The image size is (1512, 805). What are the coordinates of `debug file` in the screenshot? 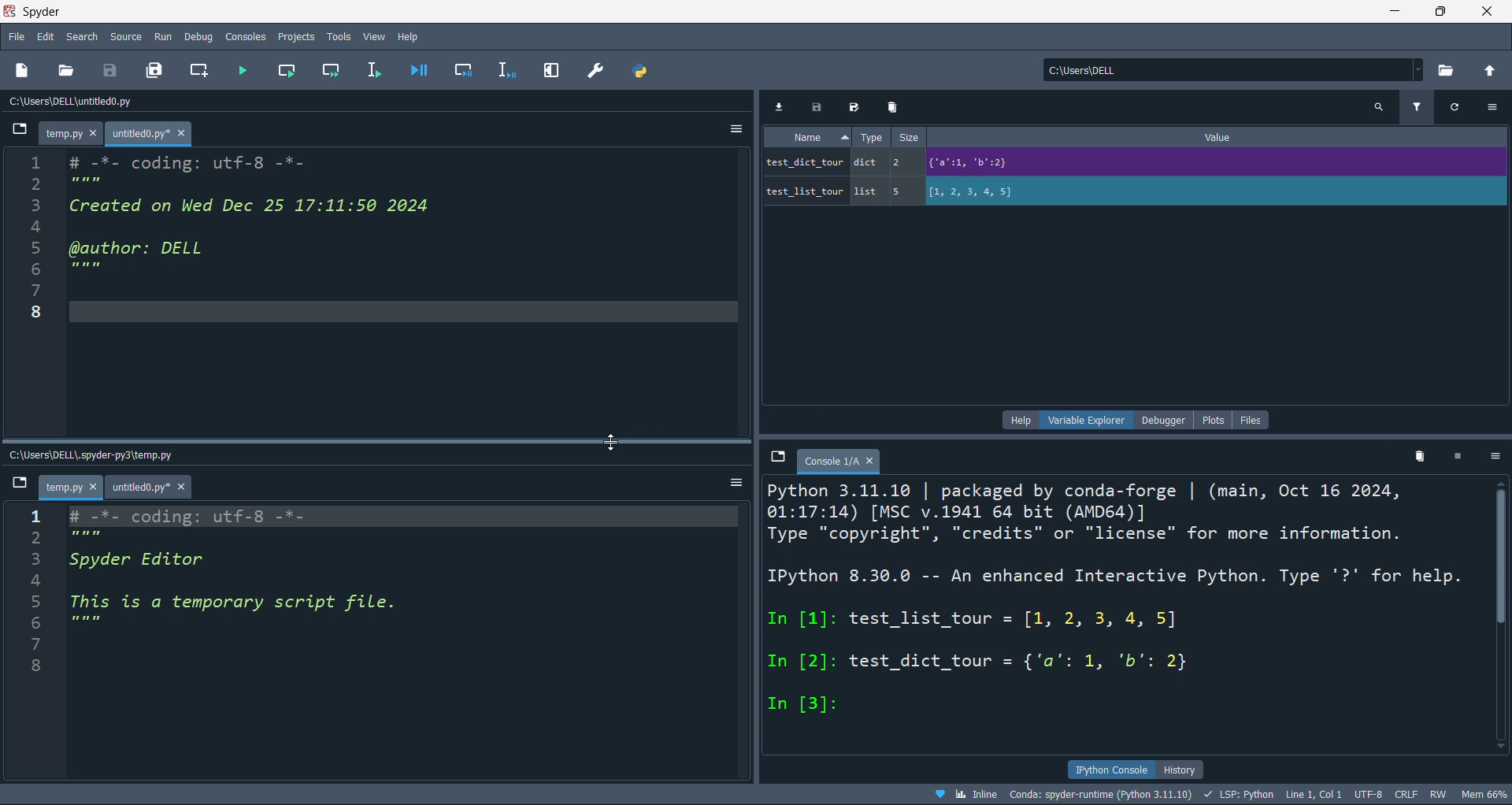 It's located at (424, 71).